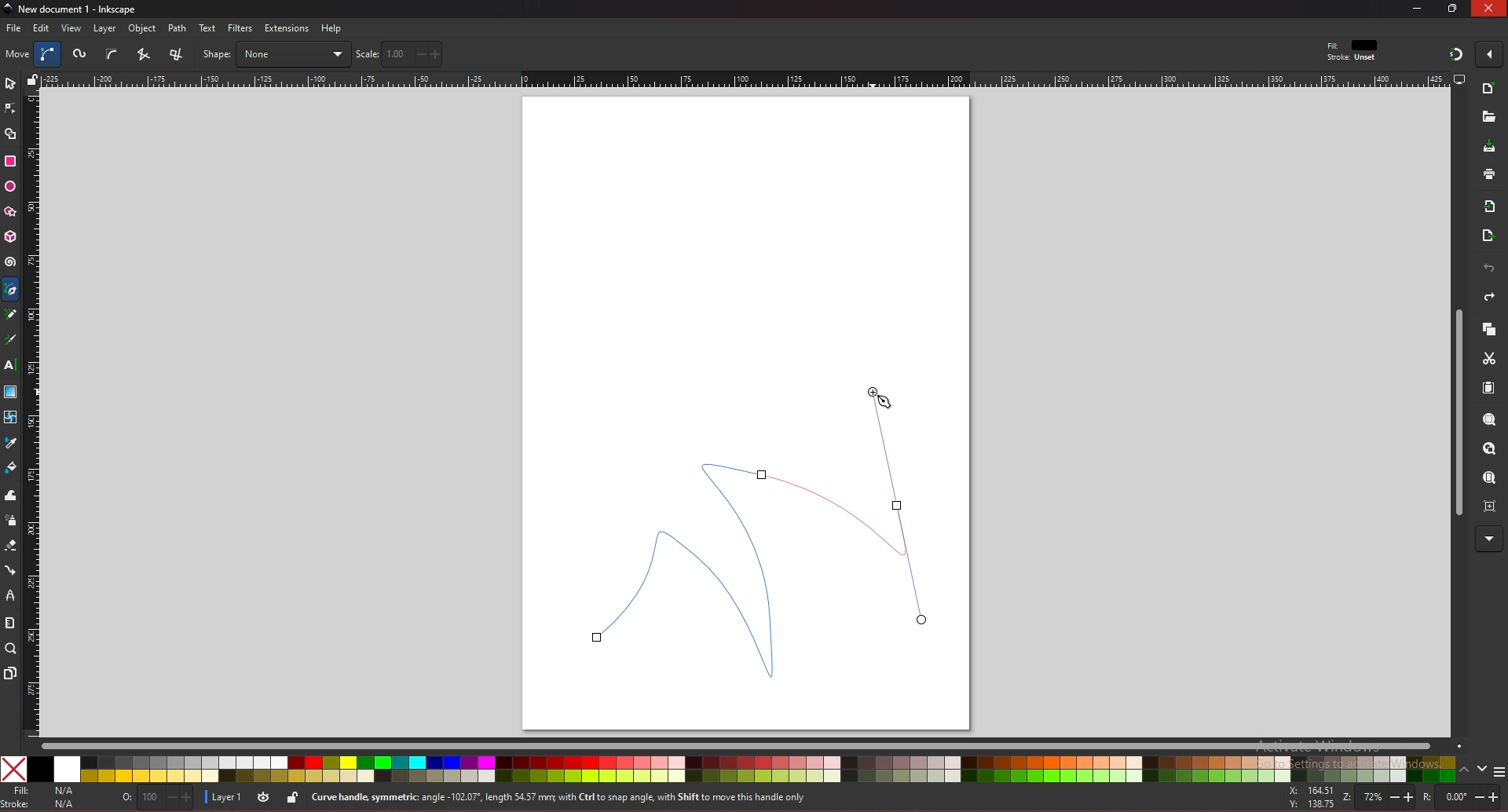  Describe the element at coordinates (11, 212) in the screenshot. I see `stars and polygons` at that location.